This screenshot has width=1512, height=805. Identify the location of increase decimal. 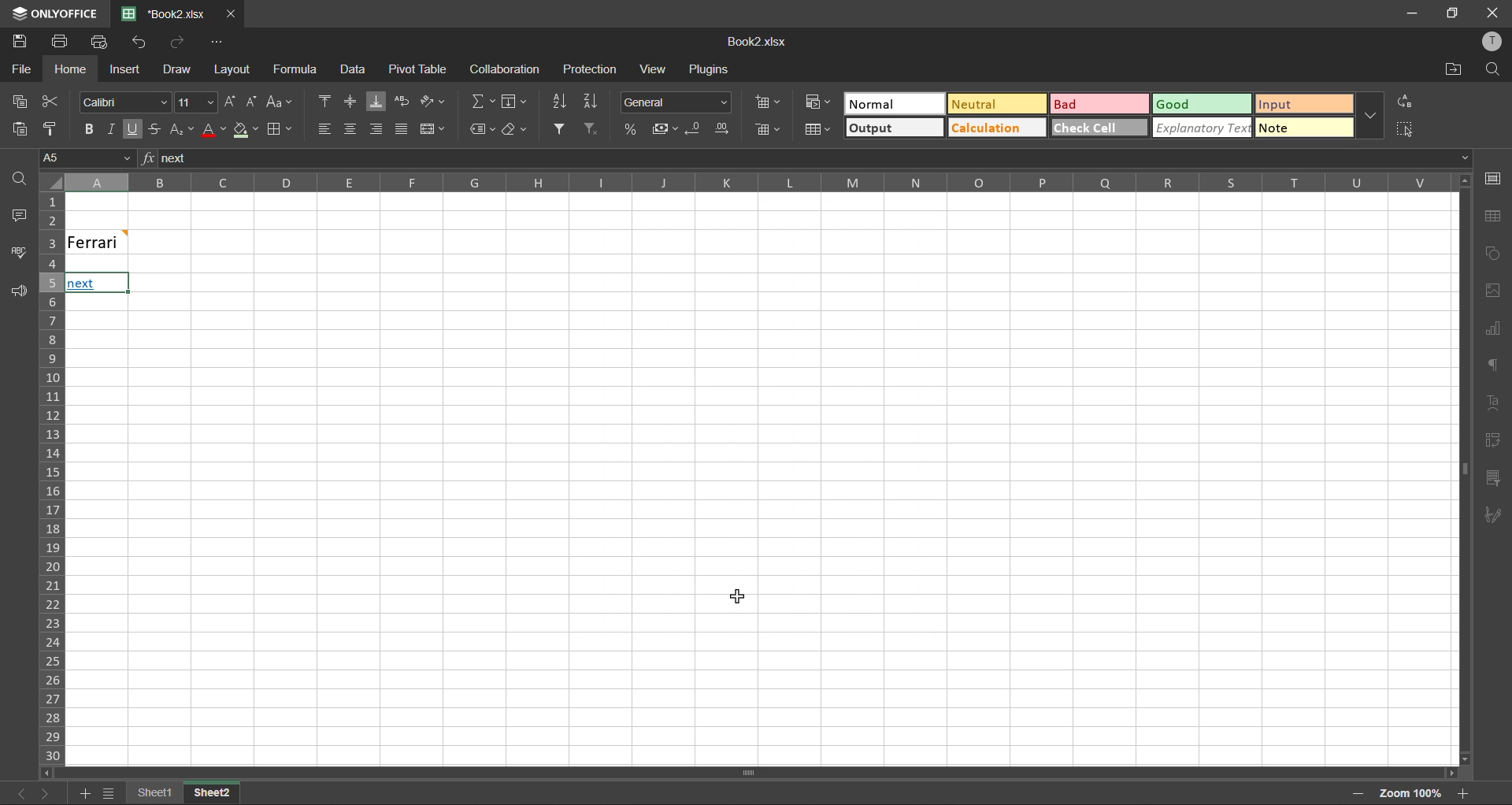
(728, 128).